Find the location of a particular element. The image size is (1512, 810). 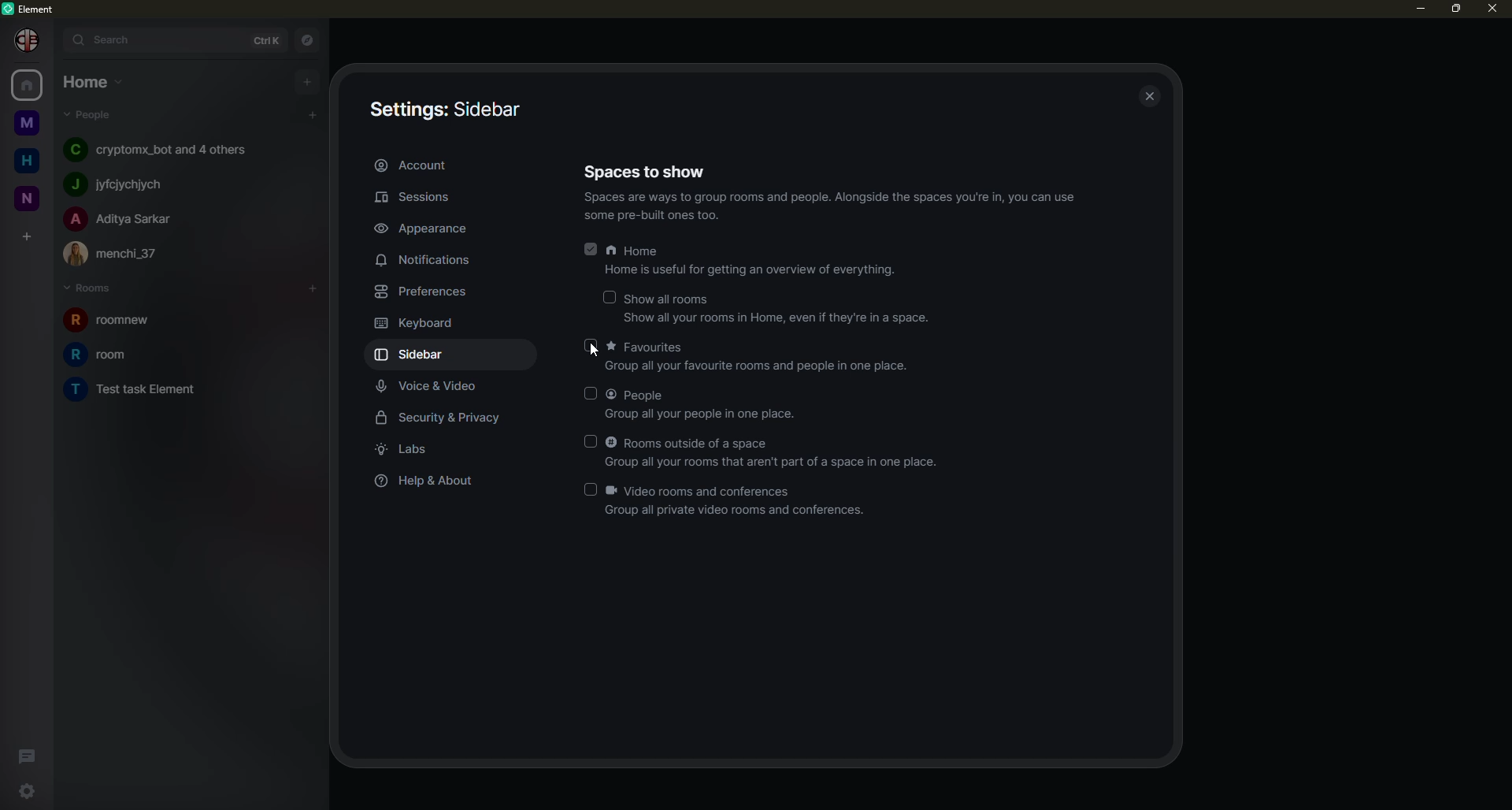

close is located at coordinates (1495, 10).